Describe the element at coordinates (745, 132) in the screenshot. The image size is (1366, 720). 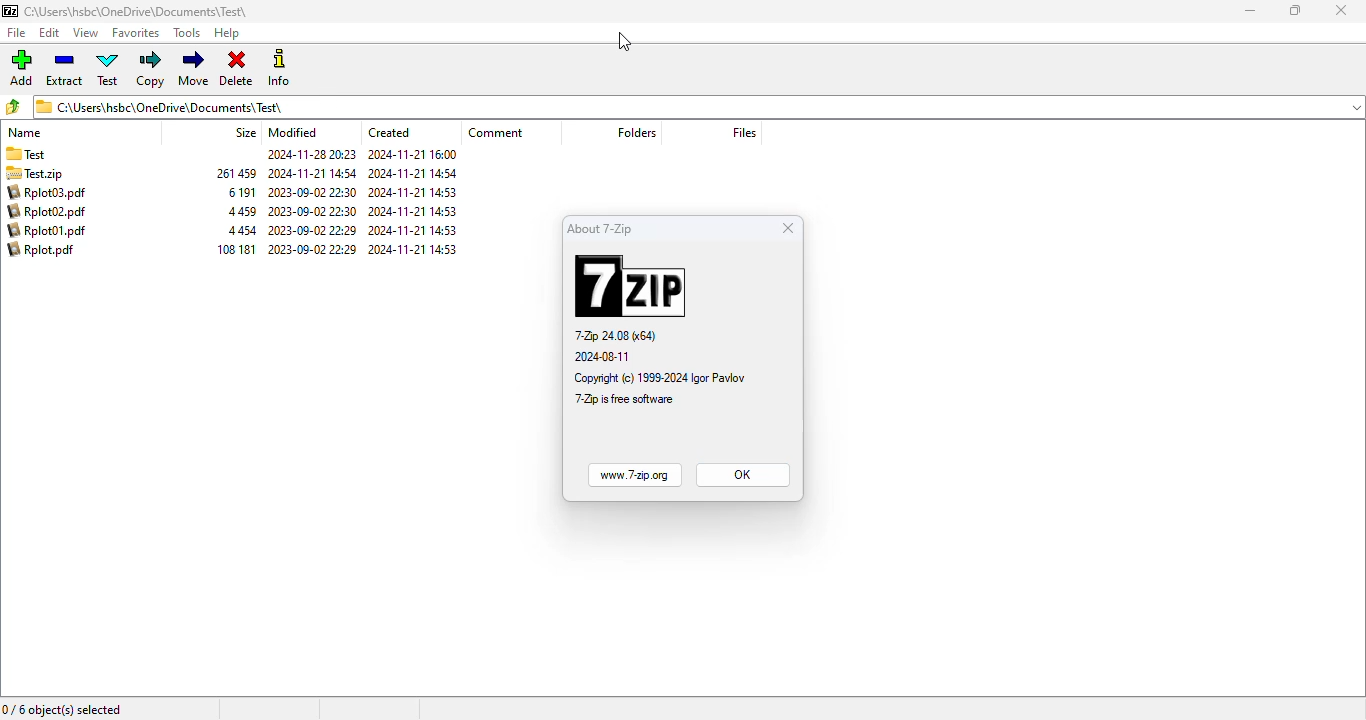
I see `files` at that location.